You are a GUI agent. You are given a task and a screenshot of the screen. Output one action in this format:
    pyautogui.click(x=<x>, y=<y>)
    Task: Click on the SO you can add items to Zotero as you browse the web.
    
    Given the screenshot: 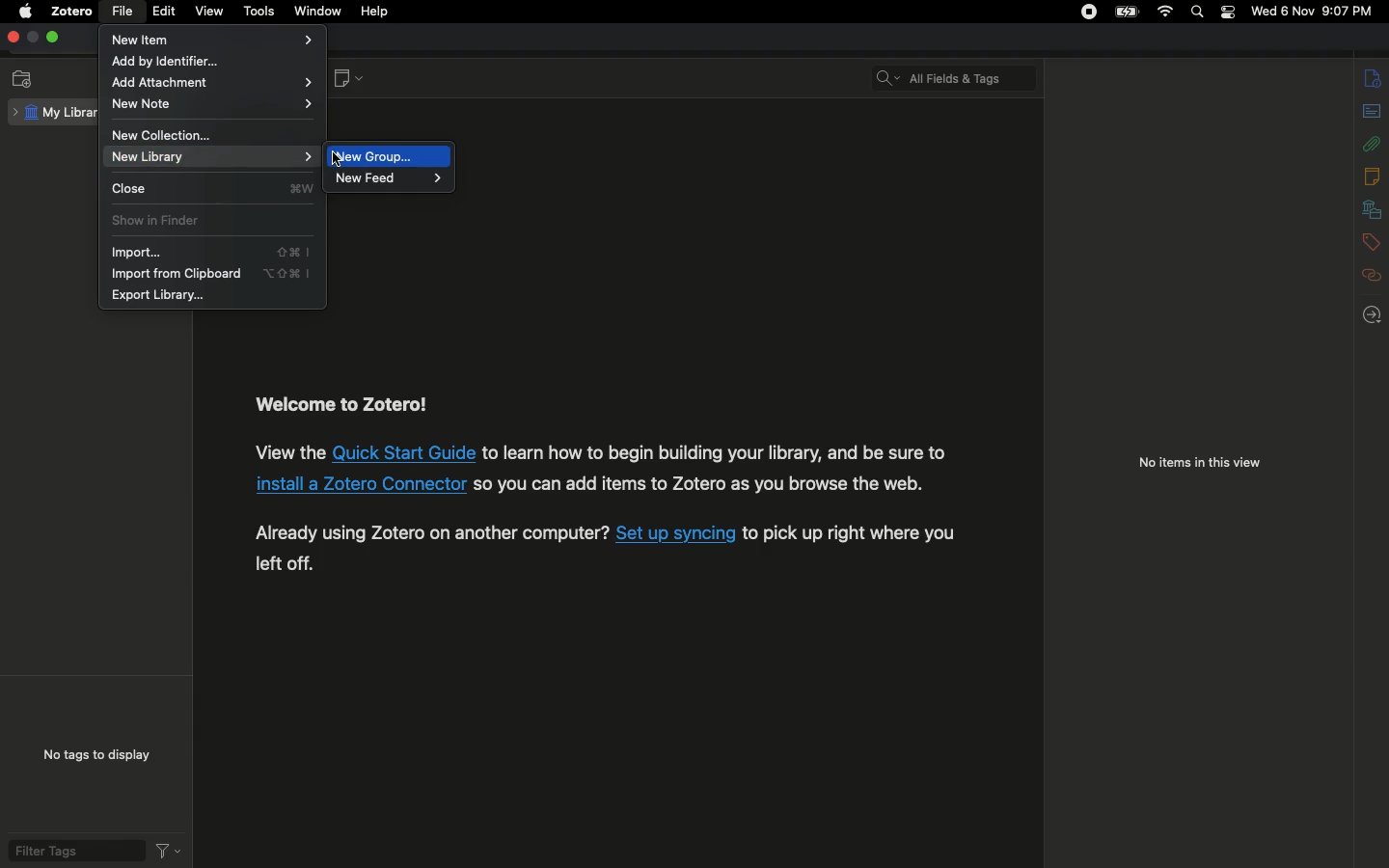 What is the action you would take?
    pyautogui.click(x=700, y=483)
    